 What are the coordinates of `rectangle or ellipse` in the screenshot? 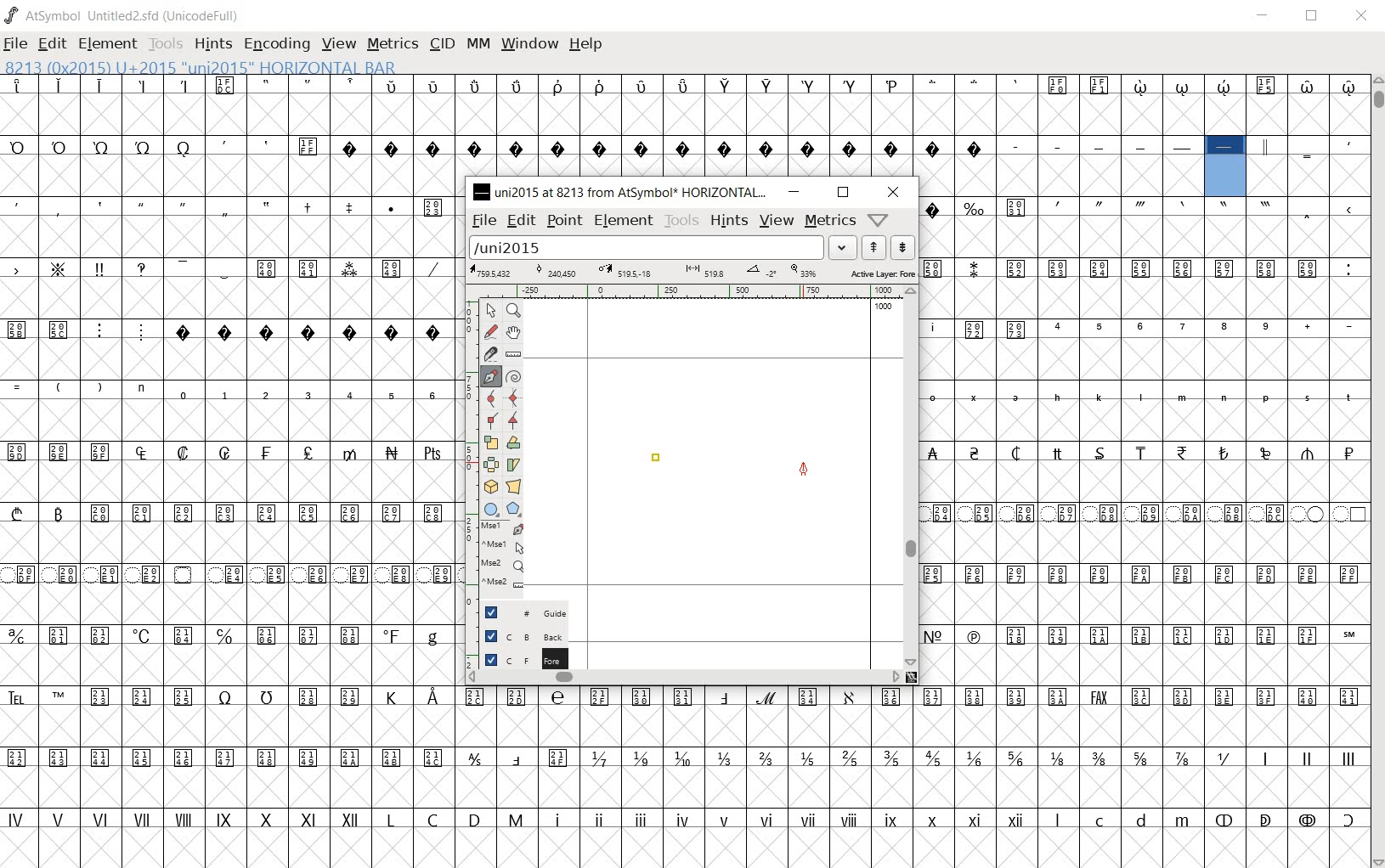 It's located at (489, 509).